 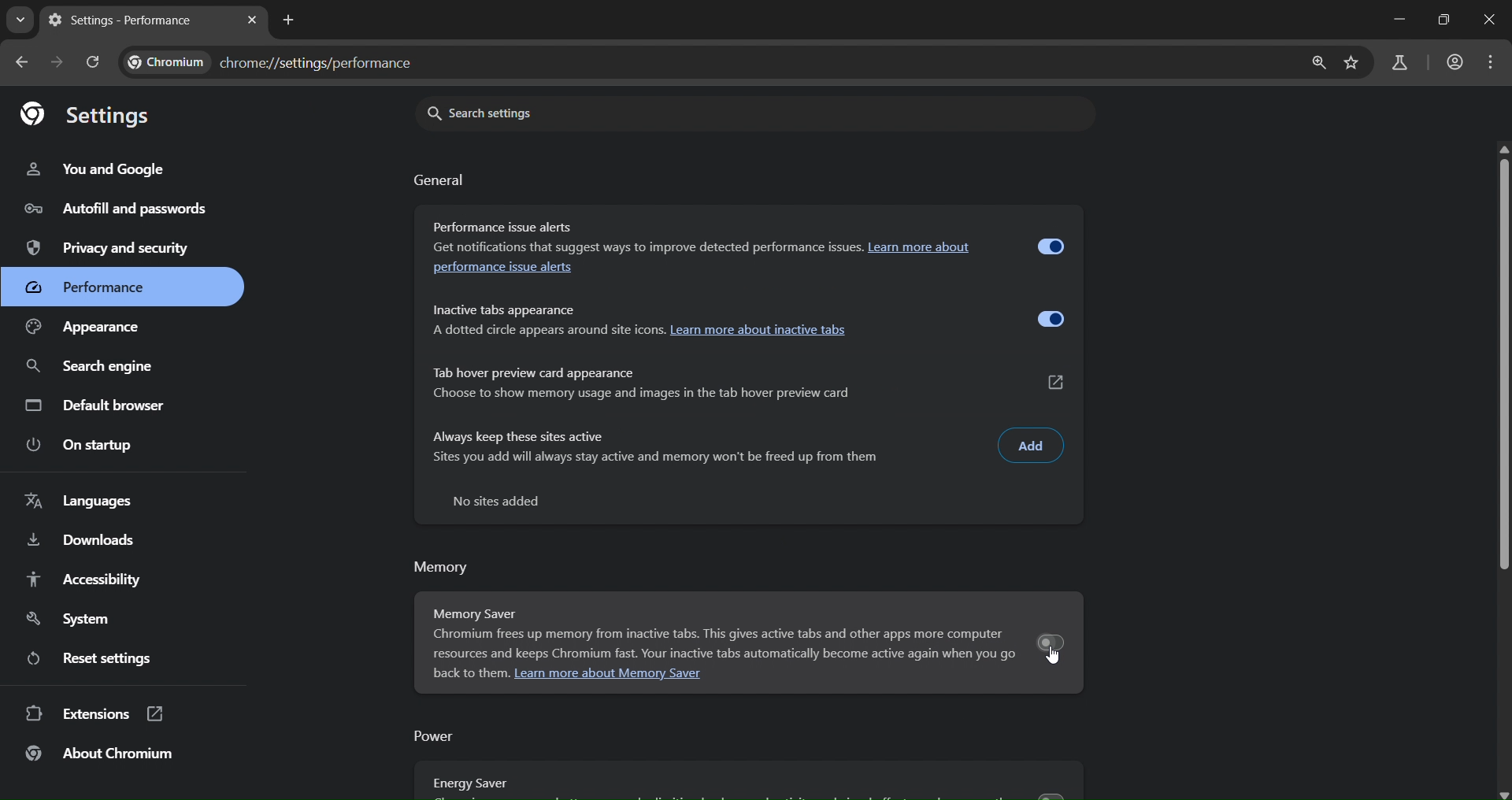 What do you see at coordinates (641, 236) in the screenshot?
I see `Performance issue alerts
Get notifications that suggest ways to improve detected performance issues.` at bounding box center [641, 236].